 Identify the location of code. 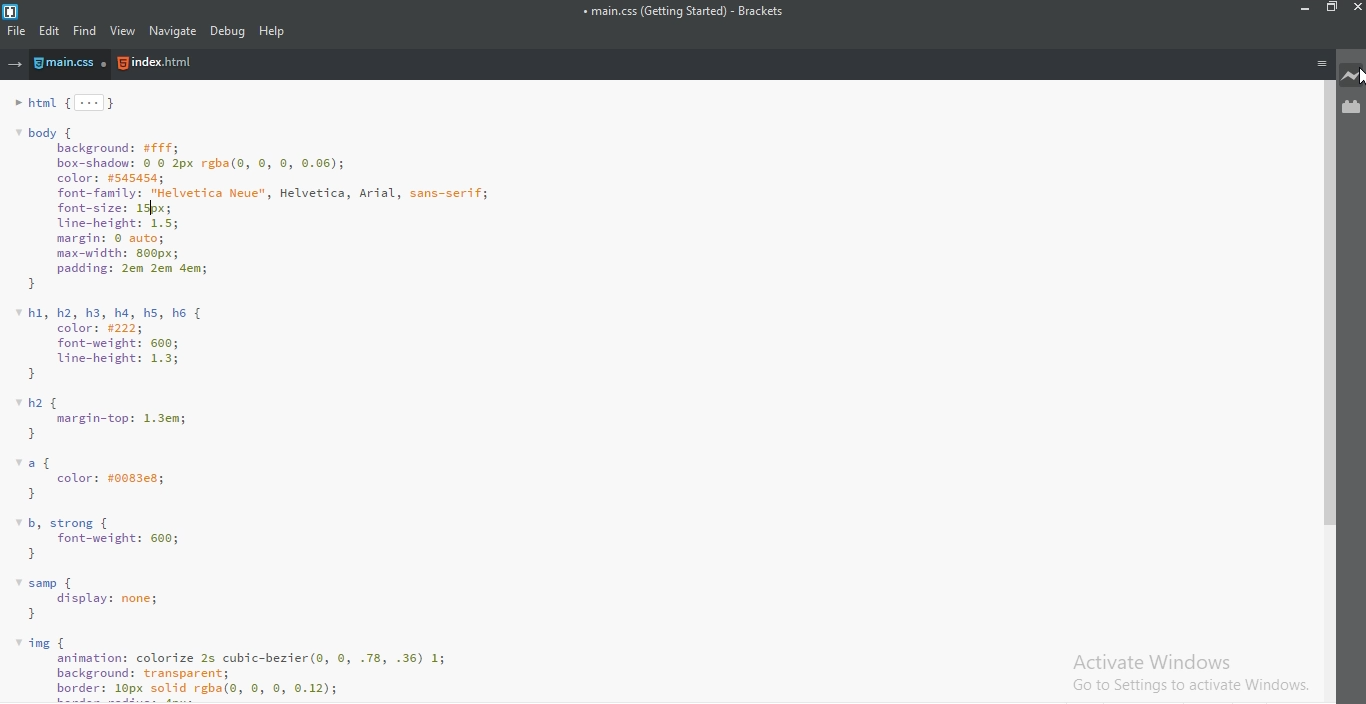
(651, 394).